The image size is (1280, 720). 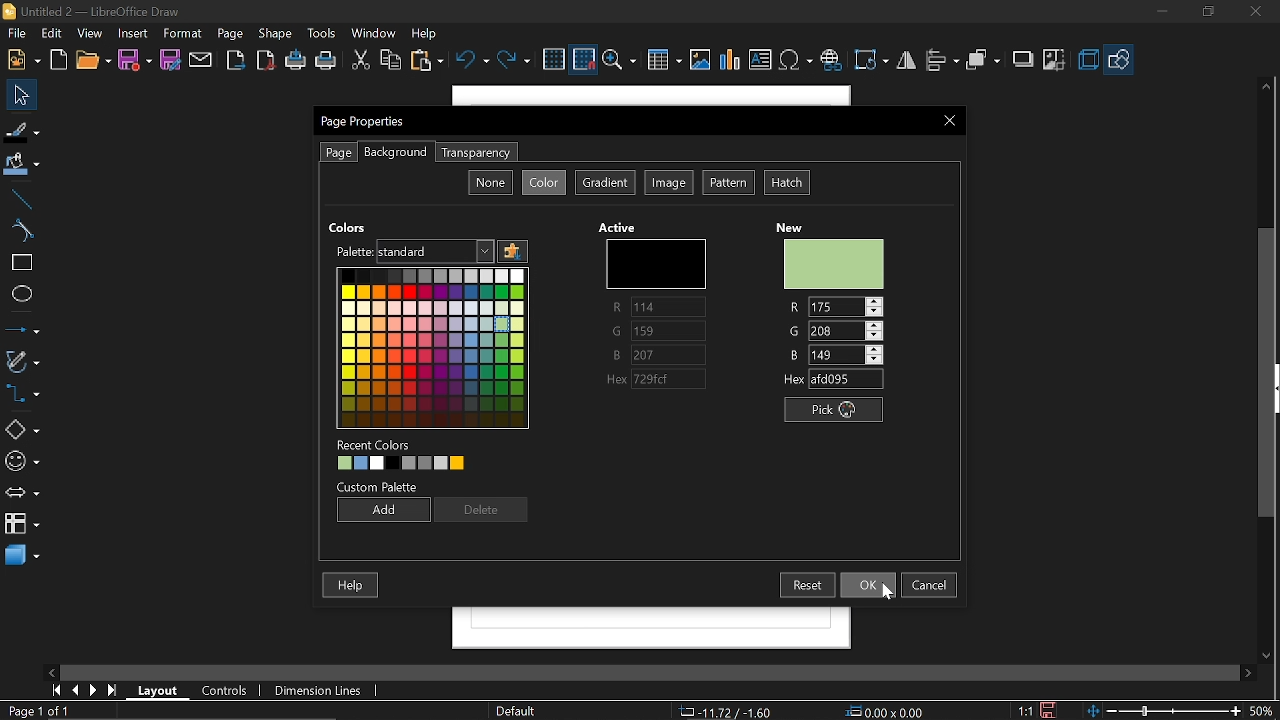 I want to click on New, so click(x=796, y=224).